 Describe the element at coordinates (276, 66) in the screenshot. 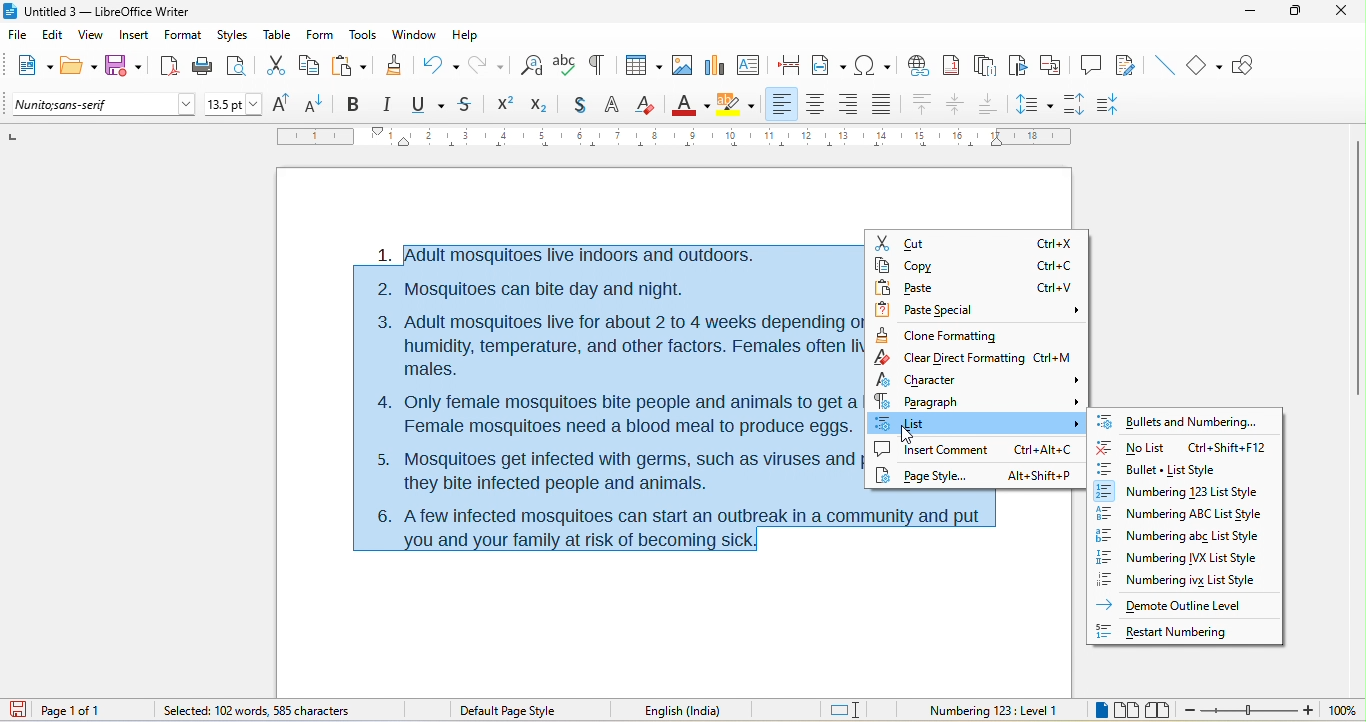

I see `cut` at that location.